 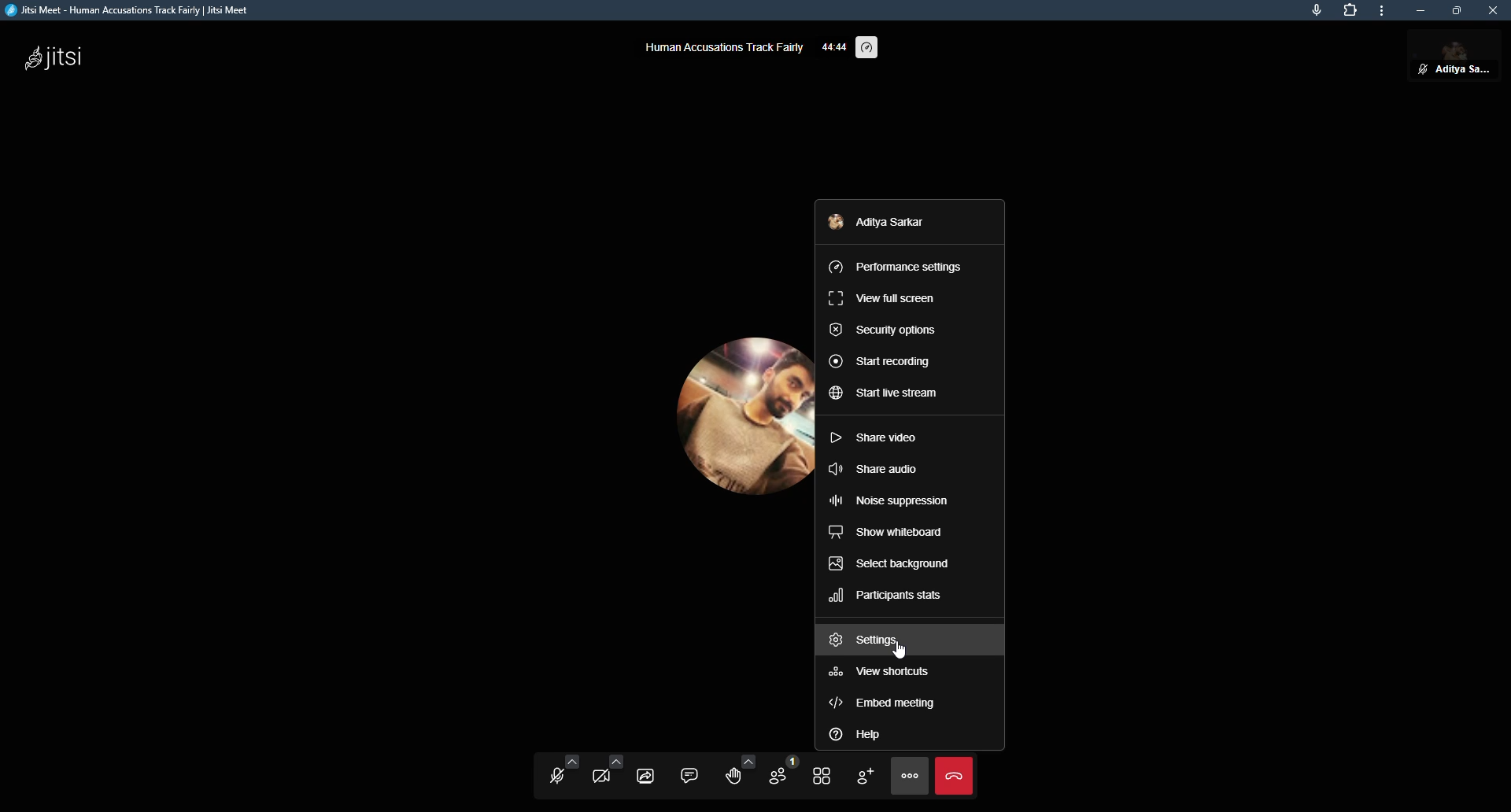 What do you see at coordinates (888, 533) in the screenshot?
I see `show whiteboard` at bounding box center [888, 533].